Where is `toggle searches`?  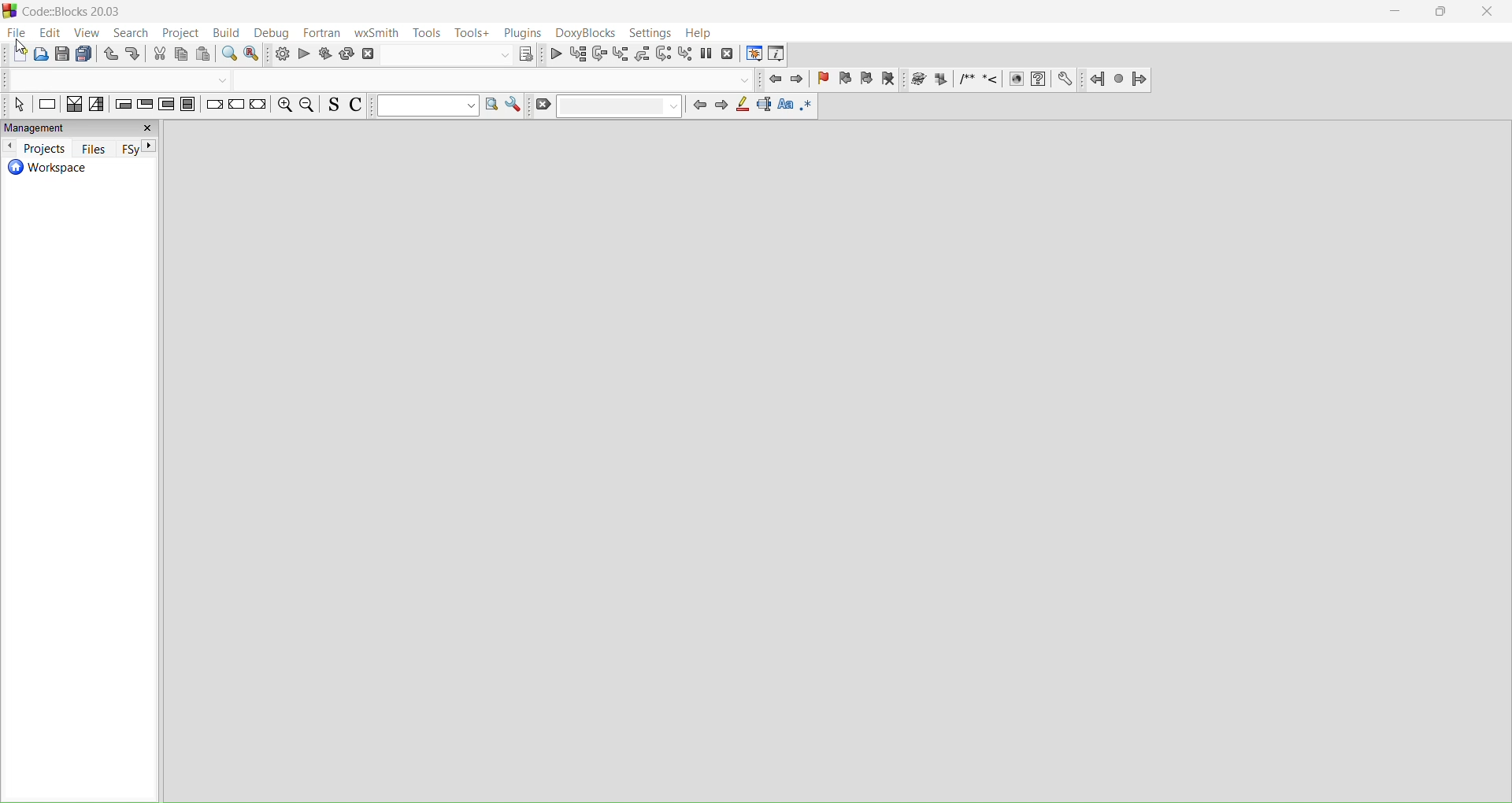 toggle searches is located at coordinates (332, 107).